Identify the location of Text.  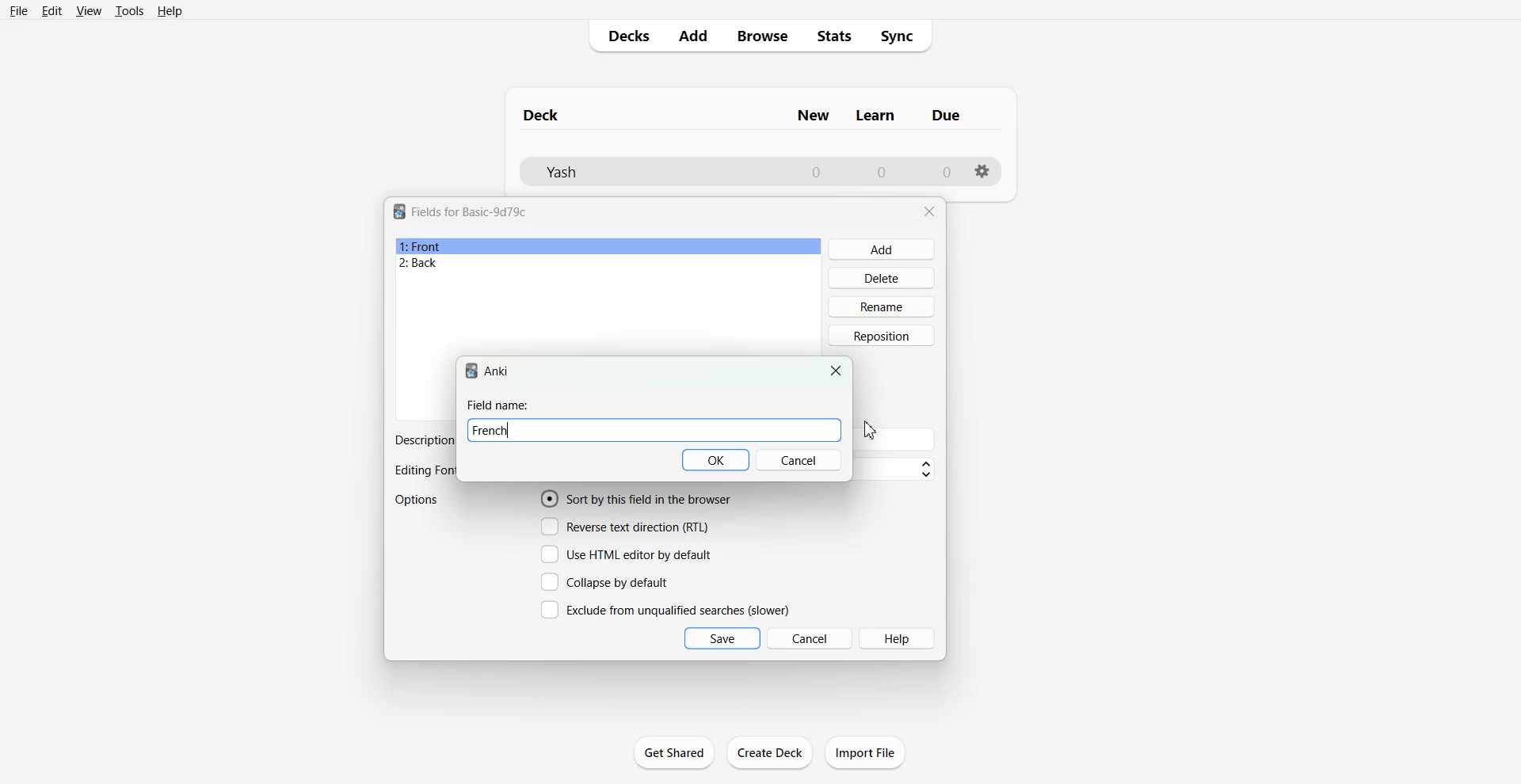
(424, 471).